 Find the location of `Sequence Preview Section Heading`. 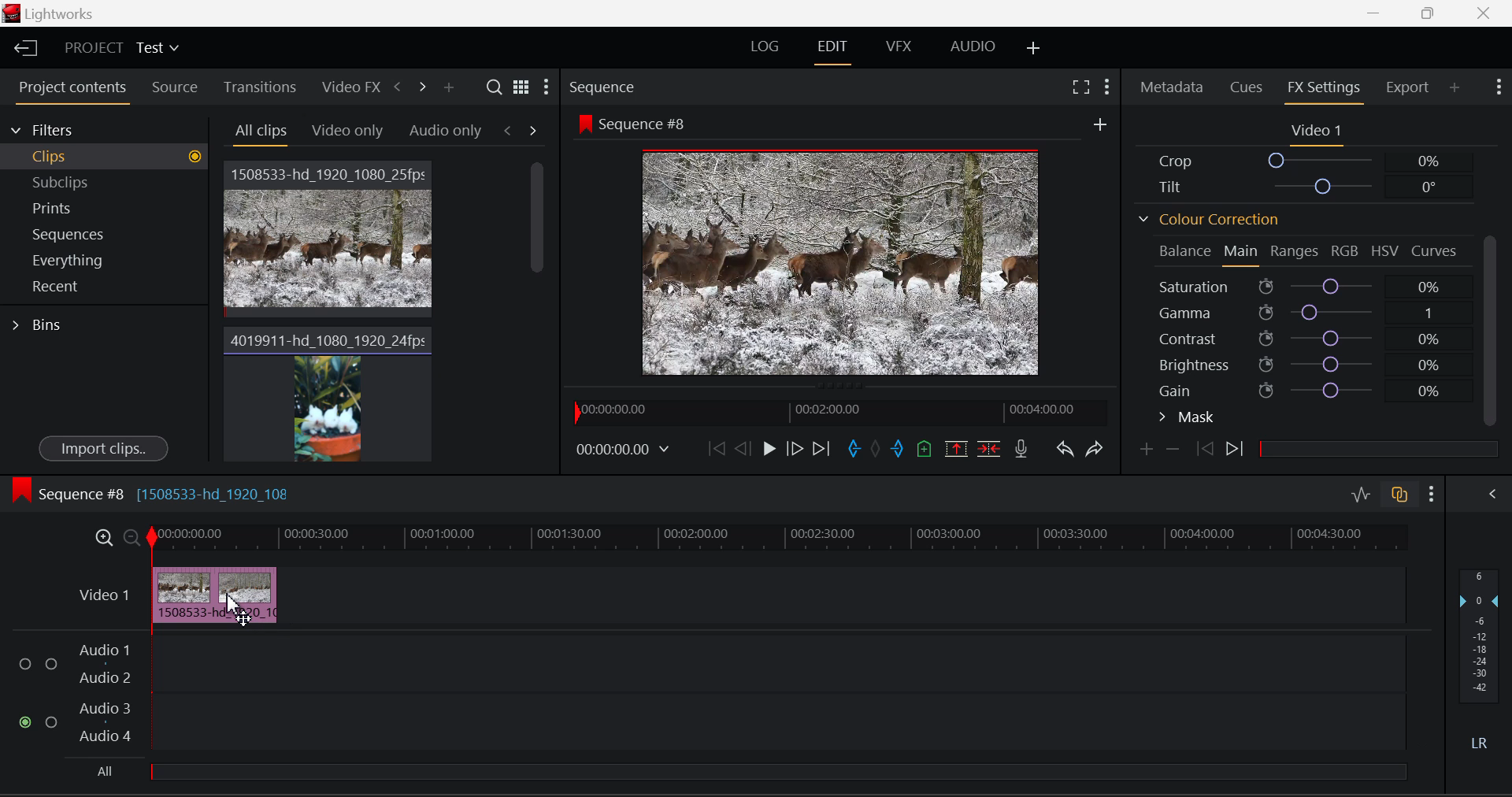

Sequence Preview Section Heading is located at coordinates (605, 87).